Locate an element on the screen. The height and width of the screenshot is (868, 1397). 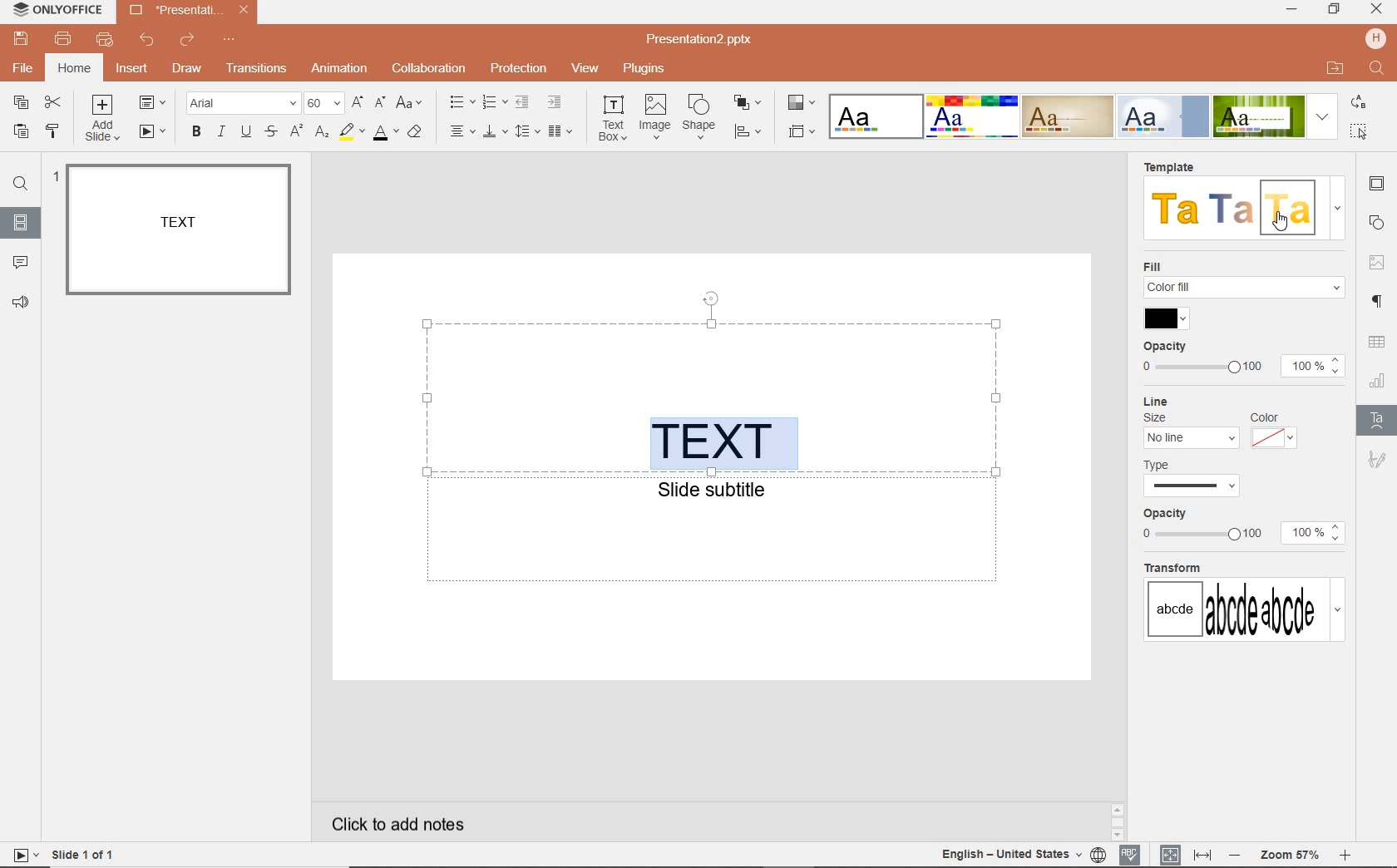
CHANGE COLOR THEME is located at coordinates (800, 104).